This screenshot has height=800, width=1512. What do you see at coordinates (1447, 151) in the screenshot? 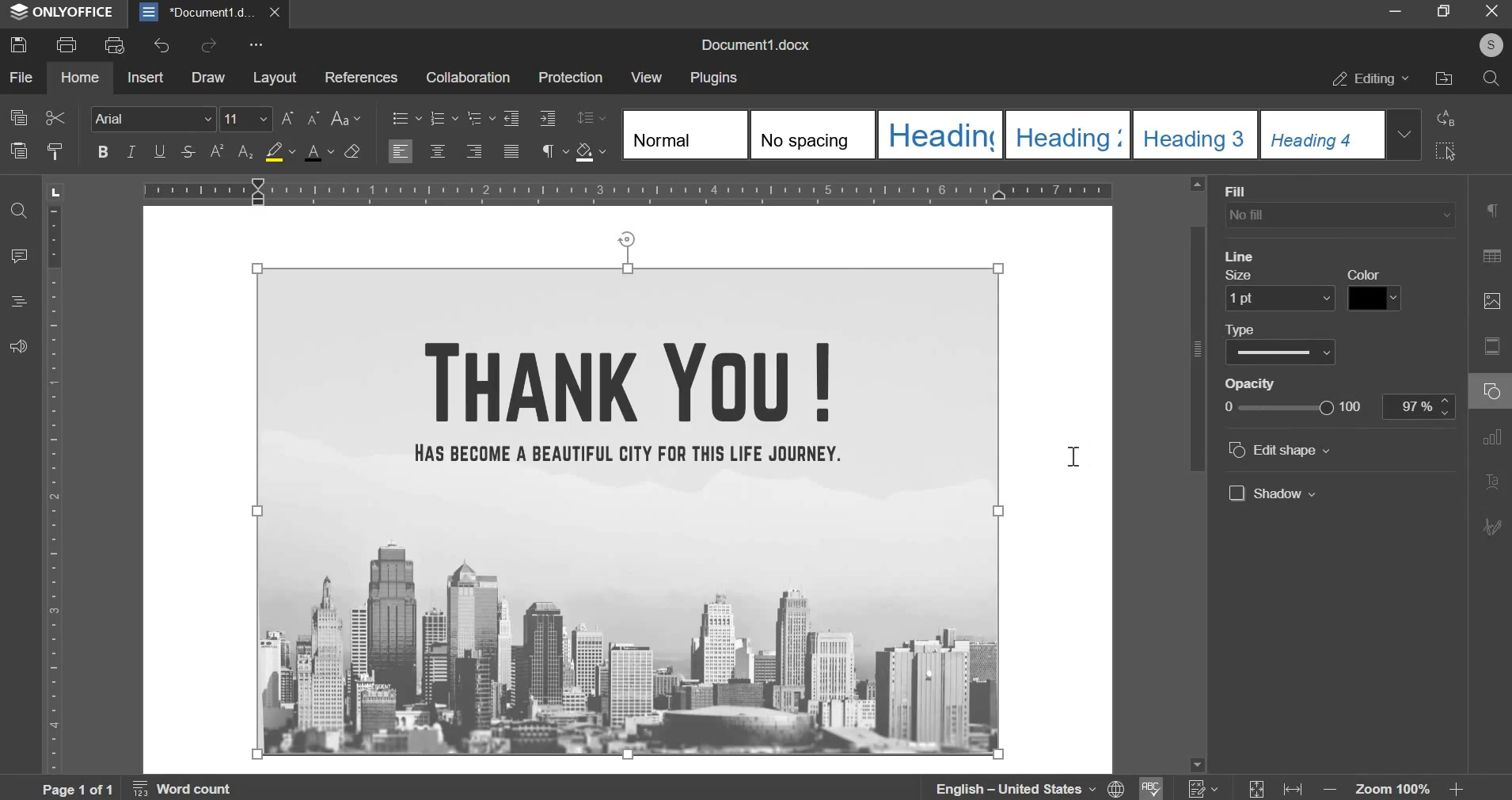
I see `select` at bounding box center [1447, 151].